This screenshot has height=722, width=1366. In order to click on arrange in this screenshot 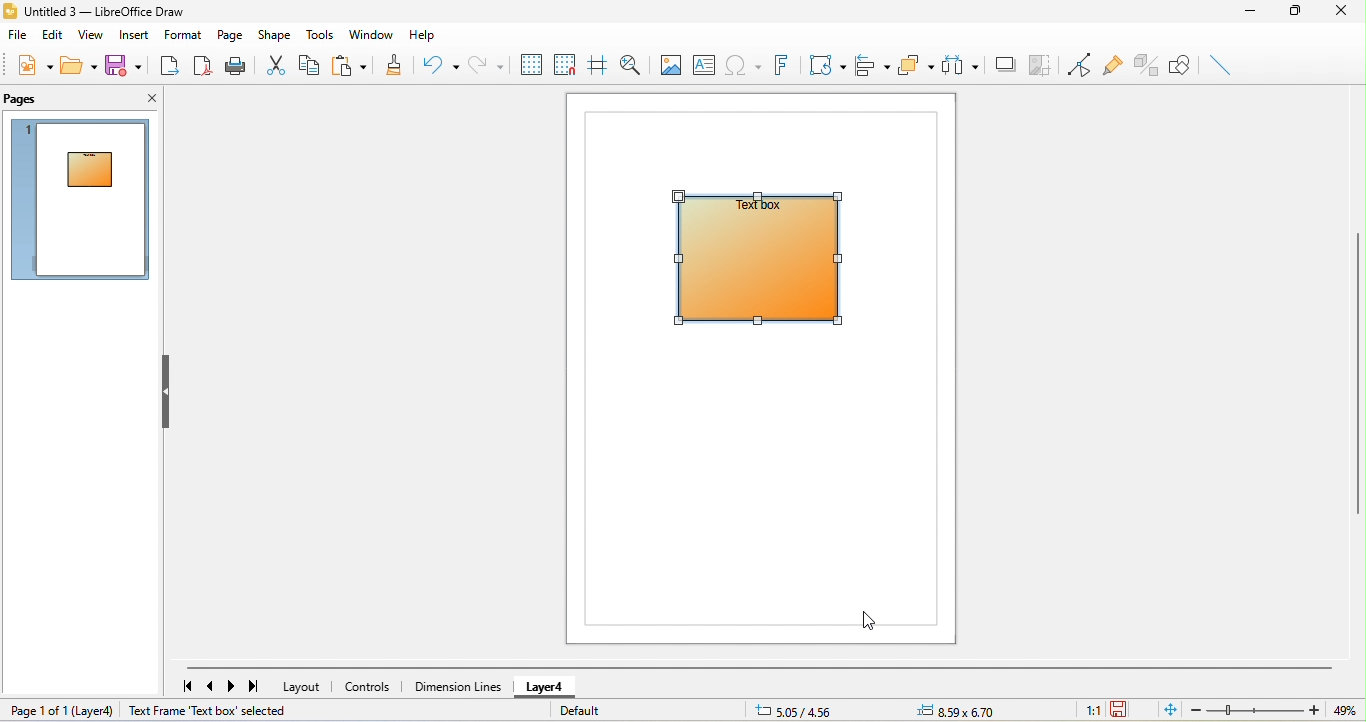, I will do `click(916, 66)`.